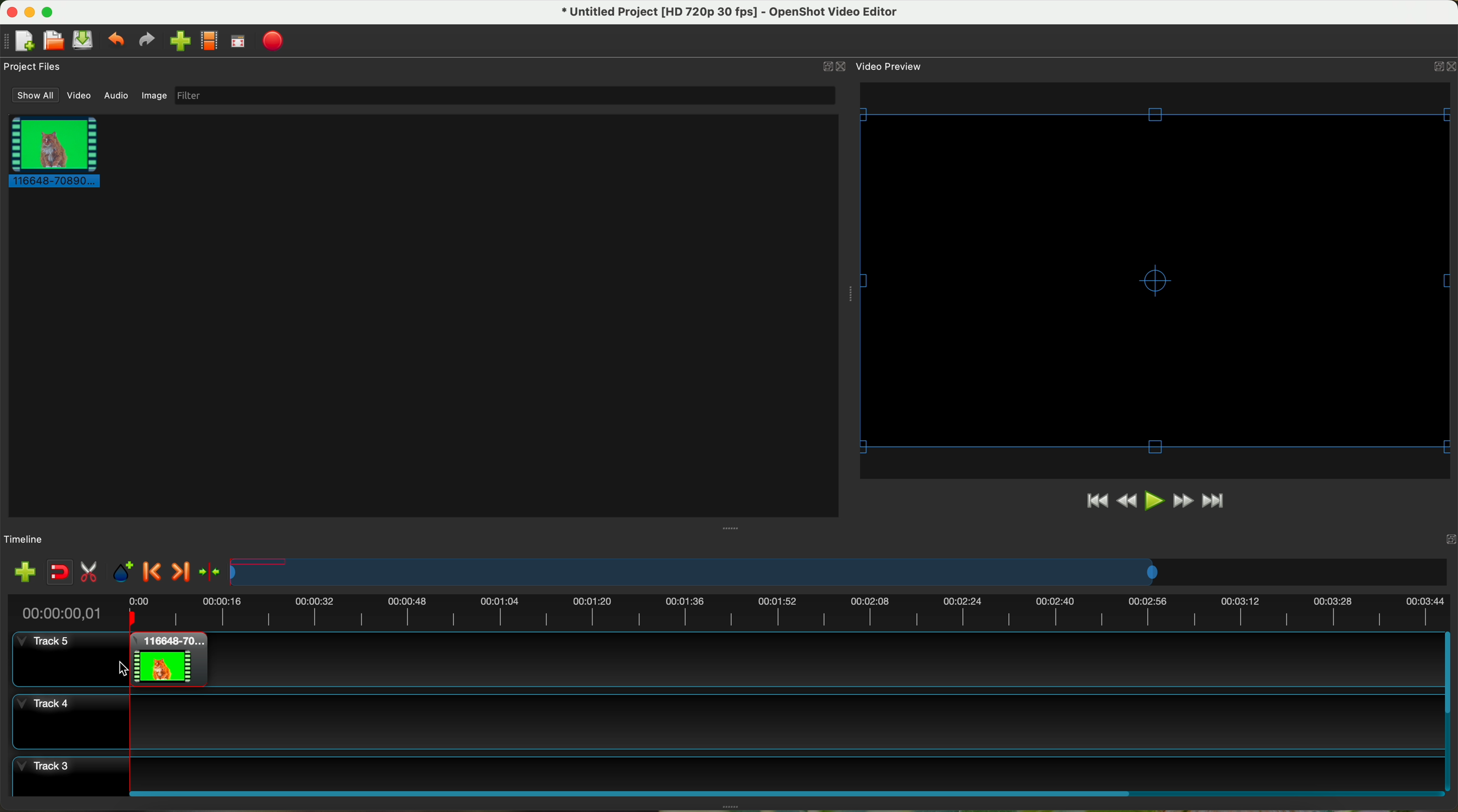 The image size is (1458, 812). I want to click on timeline, so click(727, 610).